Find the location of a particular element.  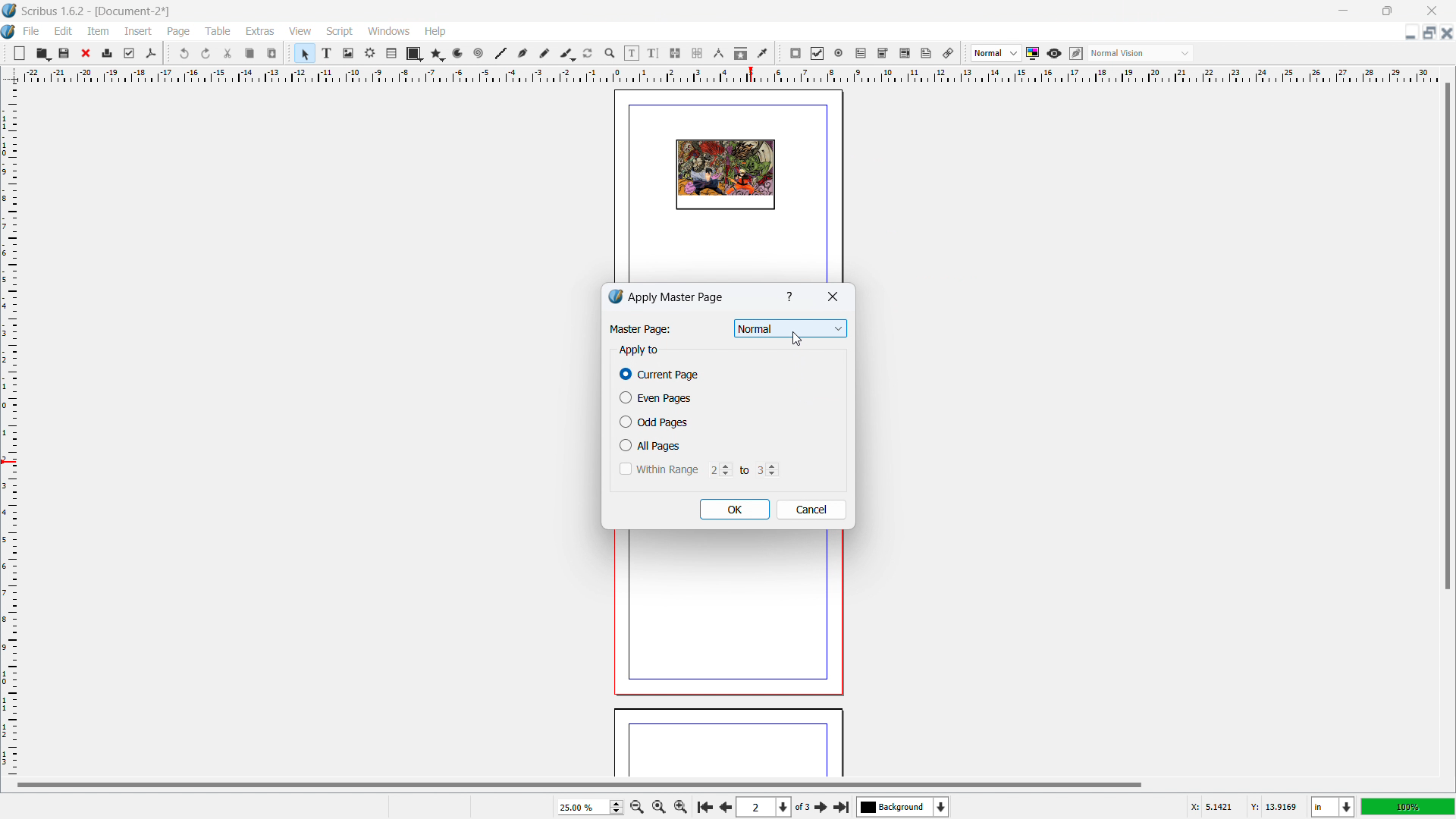

zoom in/out is located at coordinates (610, 54).